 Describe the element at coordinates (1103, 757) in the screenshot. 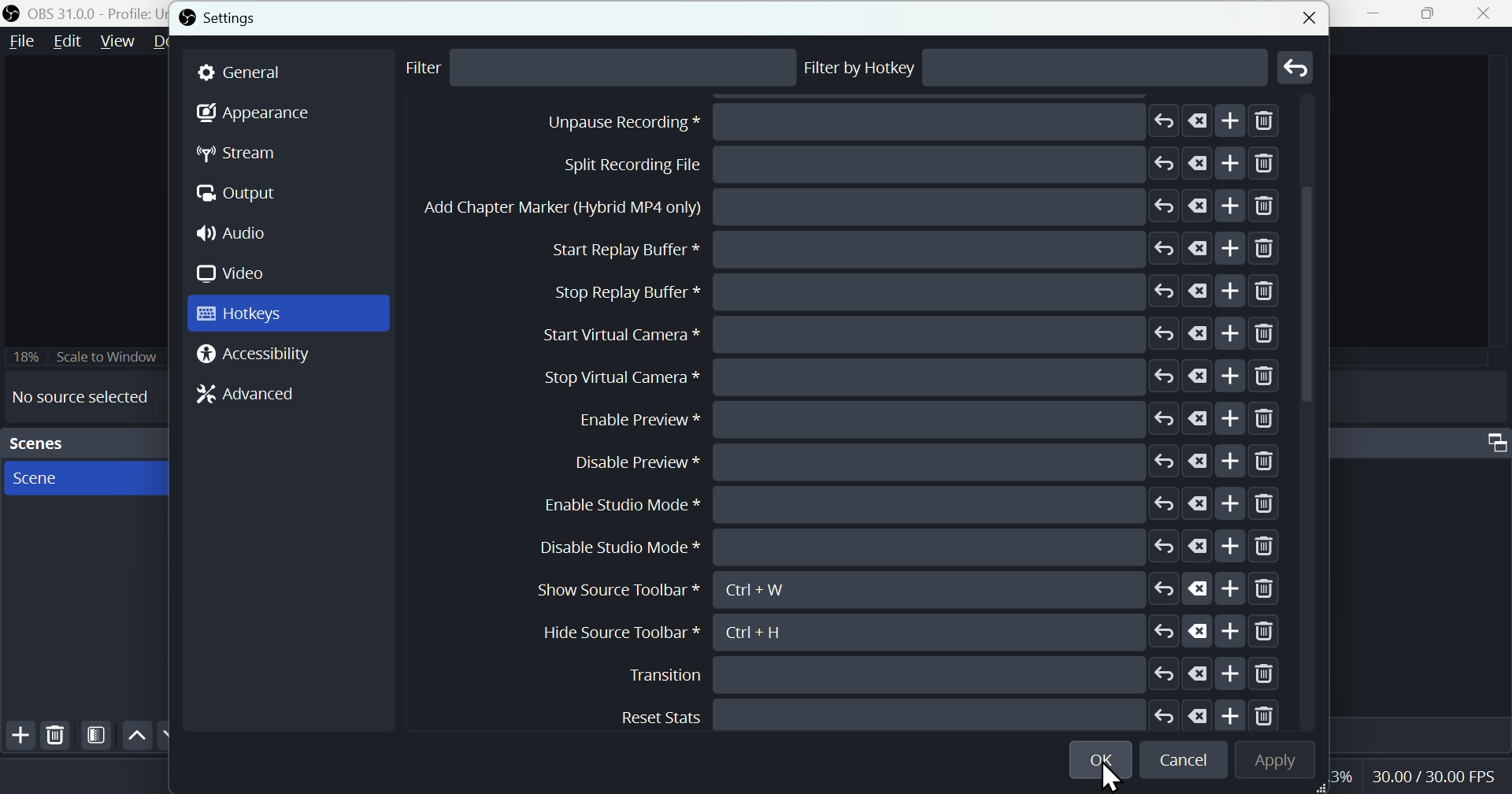

I see `OK` at that location.